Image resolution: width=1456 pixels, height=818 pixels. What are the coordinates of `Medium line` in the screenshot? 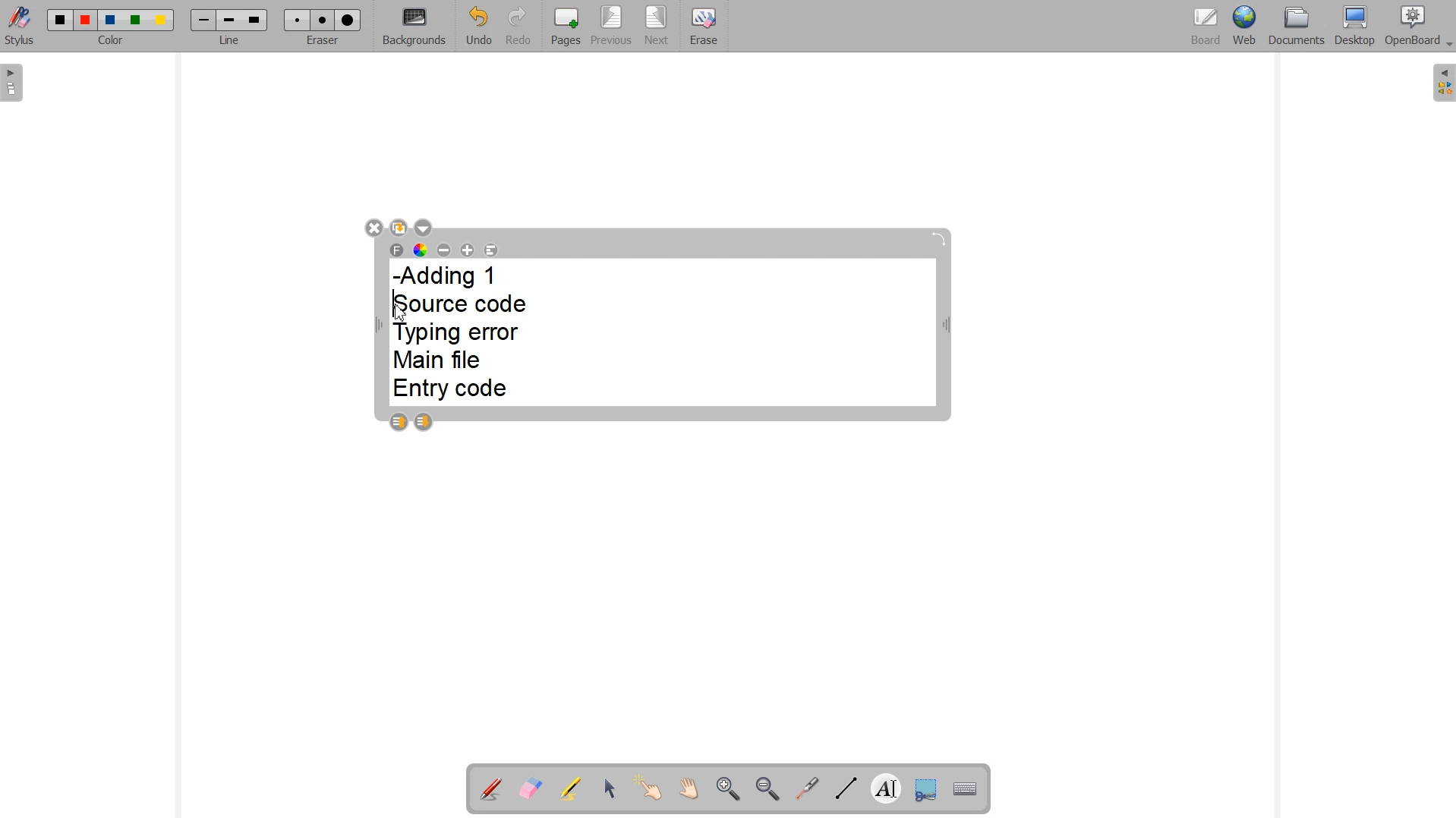 It's located at (230, 20).